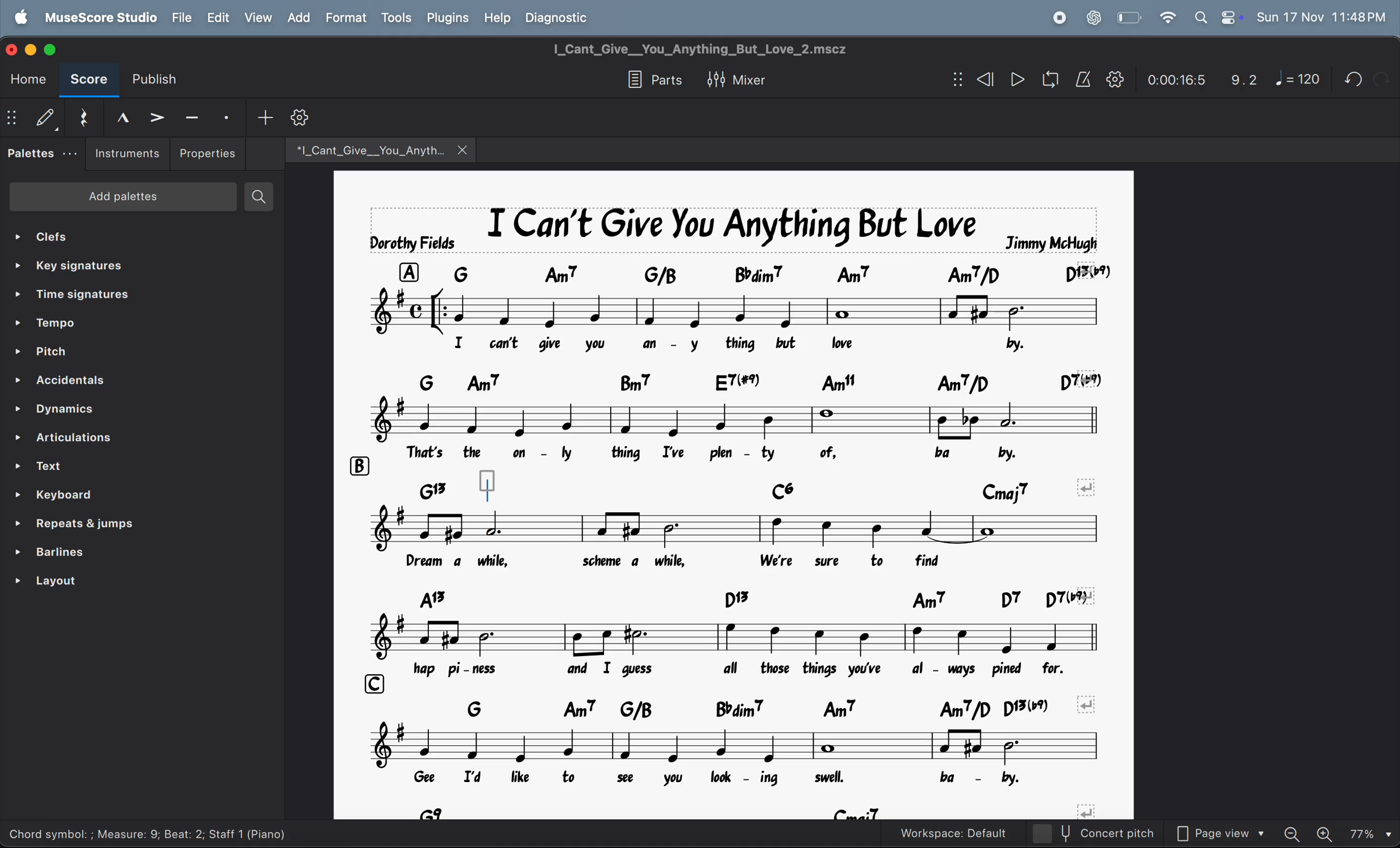 The image size is (1400, 848). What do you see at coordinates (447, 19) in the screenshot?
I see `plugins` at bounding box center [447, 19].